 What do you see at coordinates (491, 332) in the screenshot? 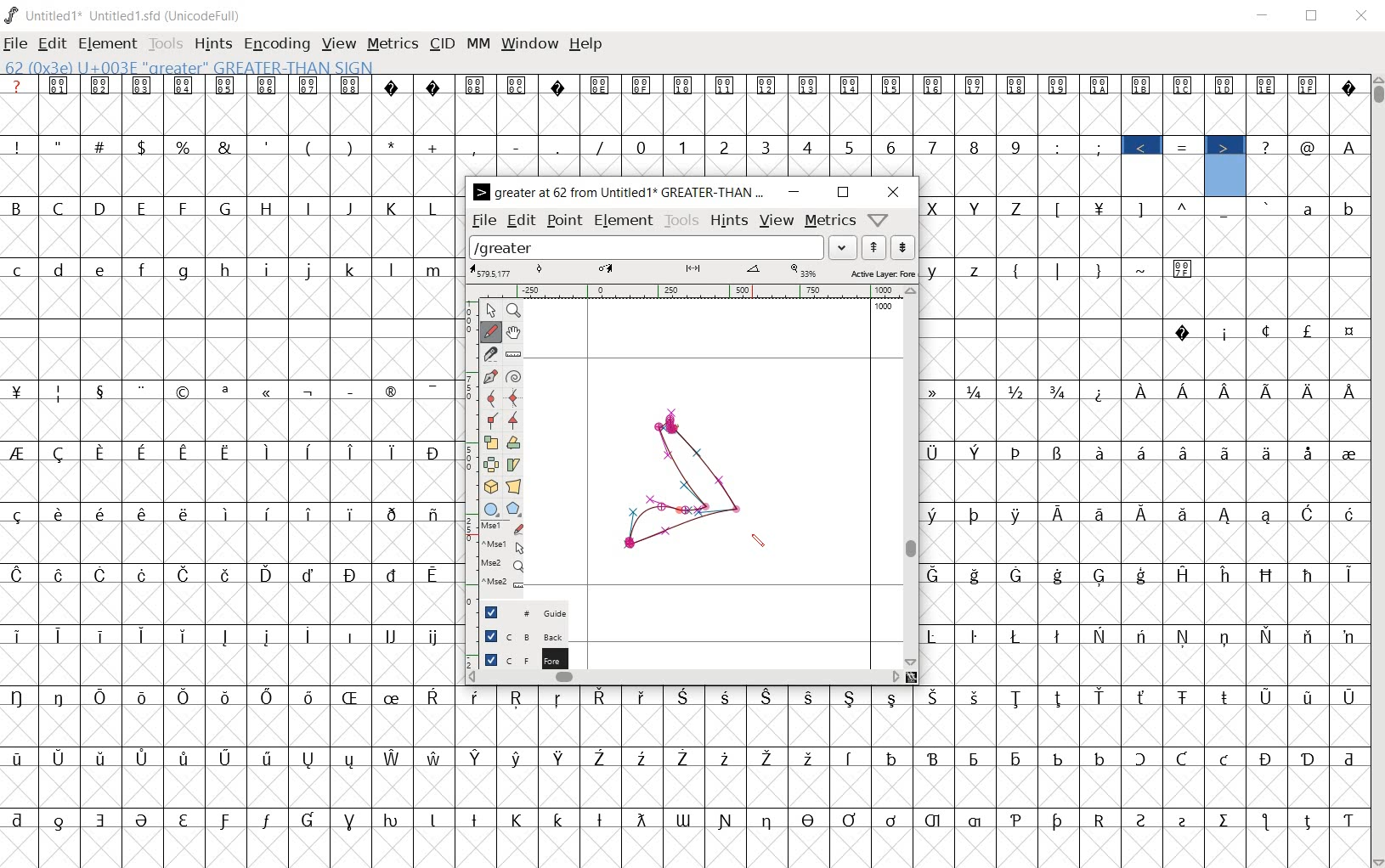
I see `draw a freehand curve` at bounding box center [491, 332].